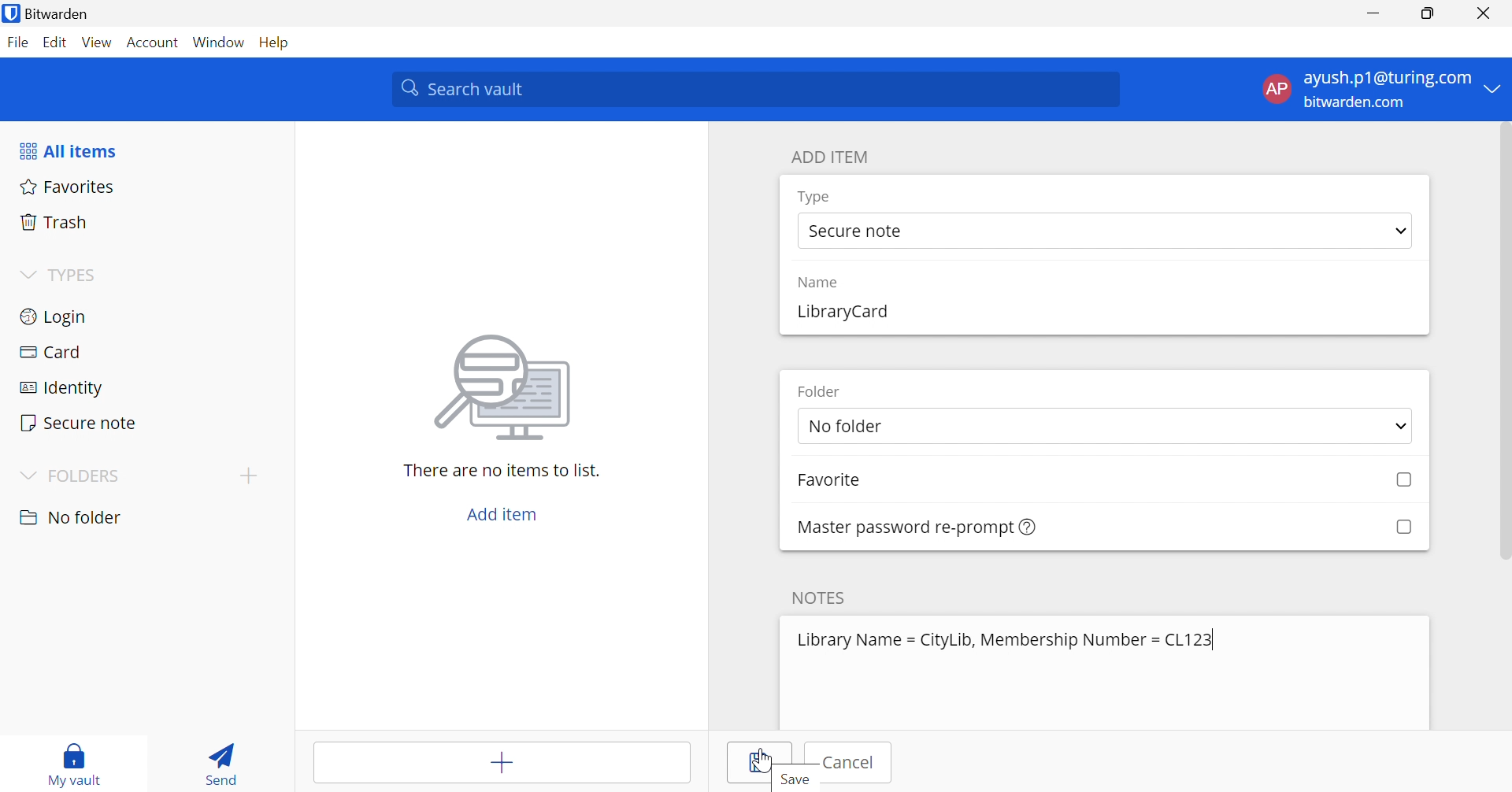 The image size is (1512, 792). I want to click on Send, so click(224, 761).